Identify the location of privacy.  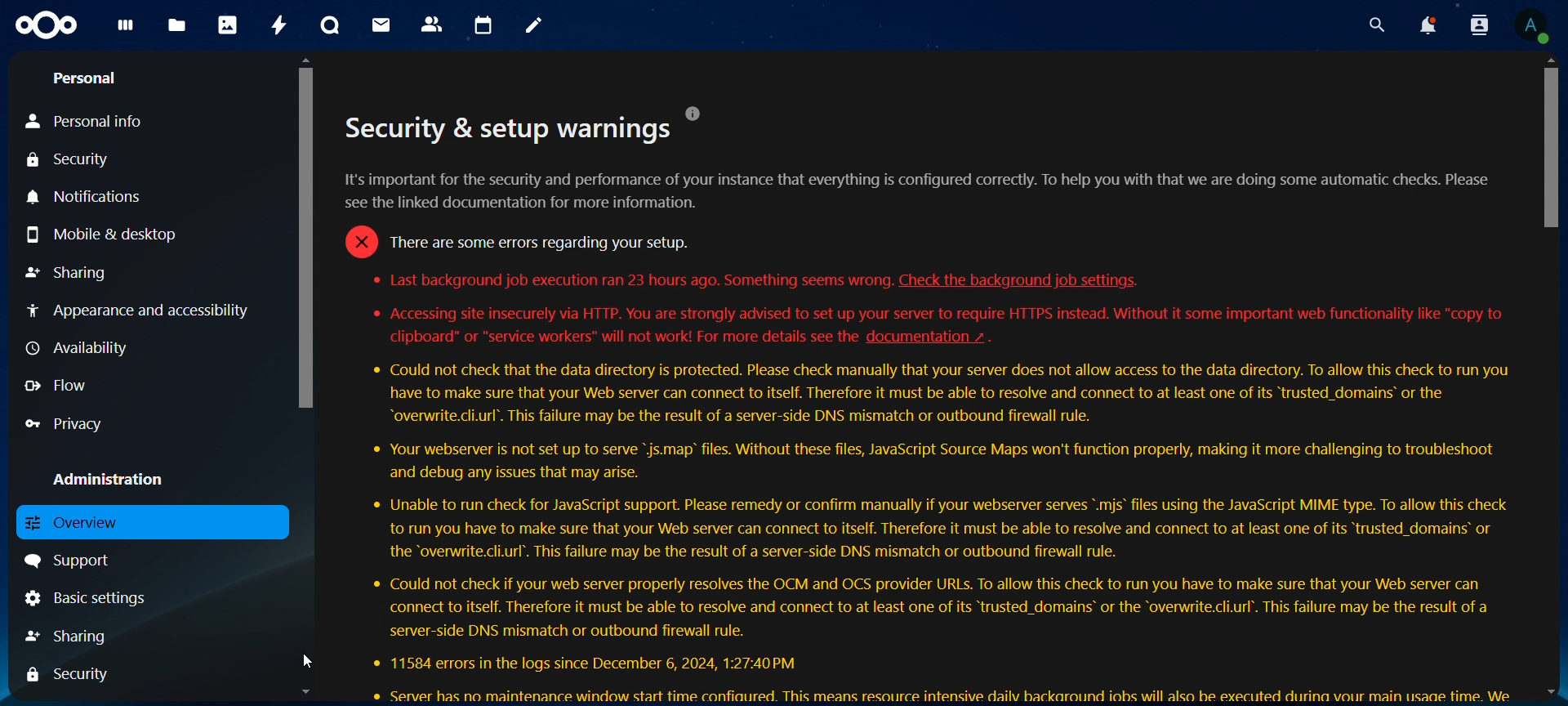
(66, 425).